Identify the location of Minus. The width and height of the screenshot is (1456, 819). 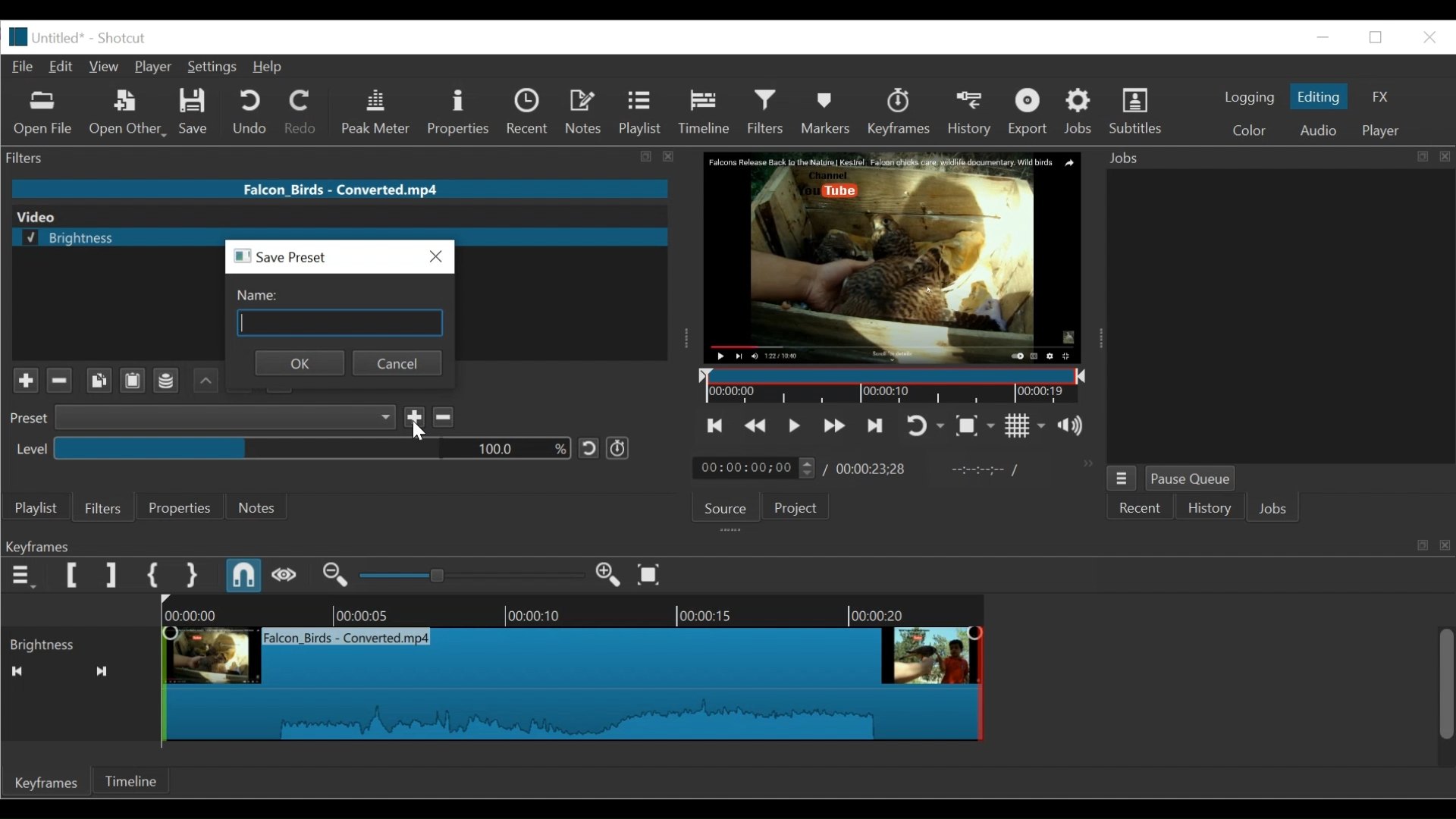
(60, 381).